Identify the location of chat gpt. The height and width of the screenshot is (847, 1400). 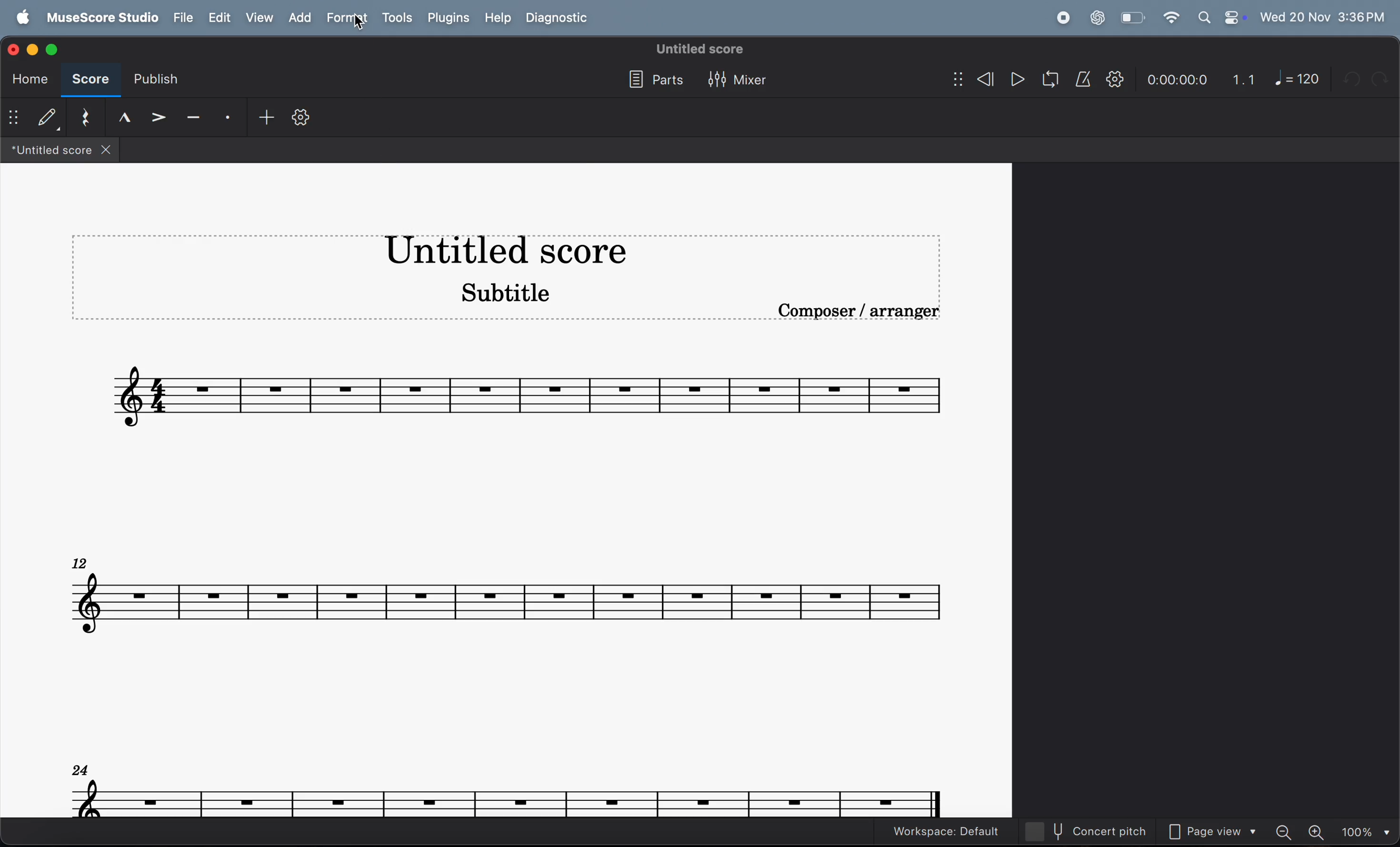
(1098, 18).